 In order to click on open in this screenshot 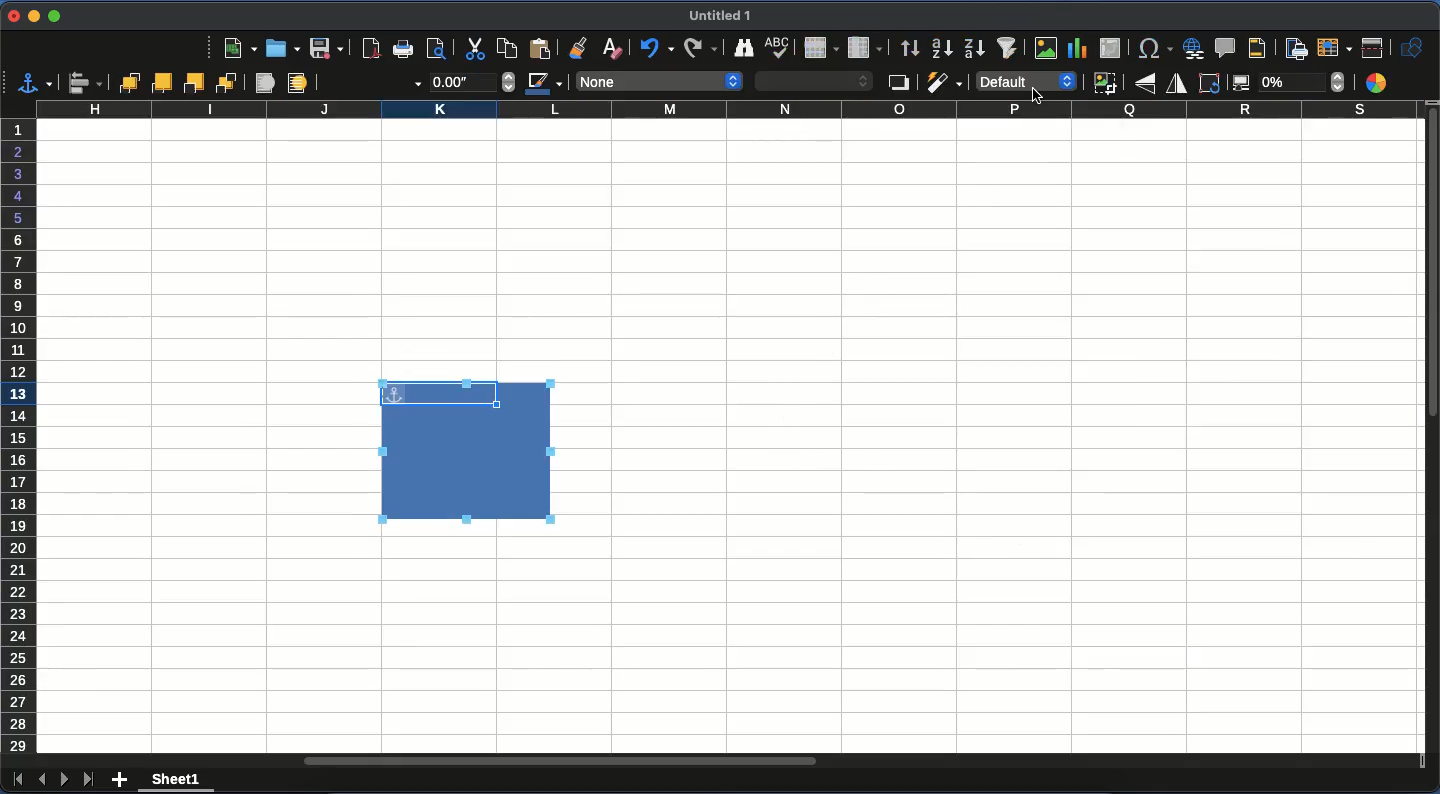, I will do `click(283, 50)`.